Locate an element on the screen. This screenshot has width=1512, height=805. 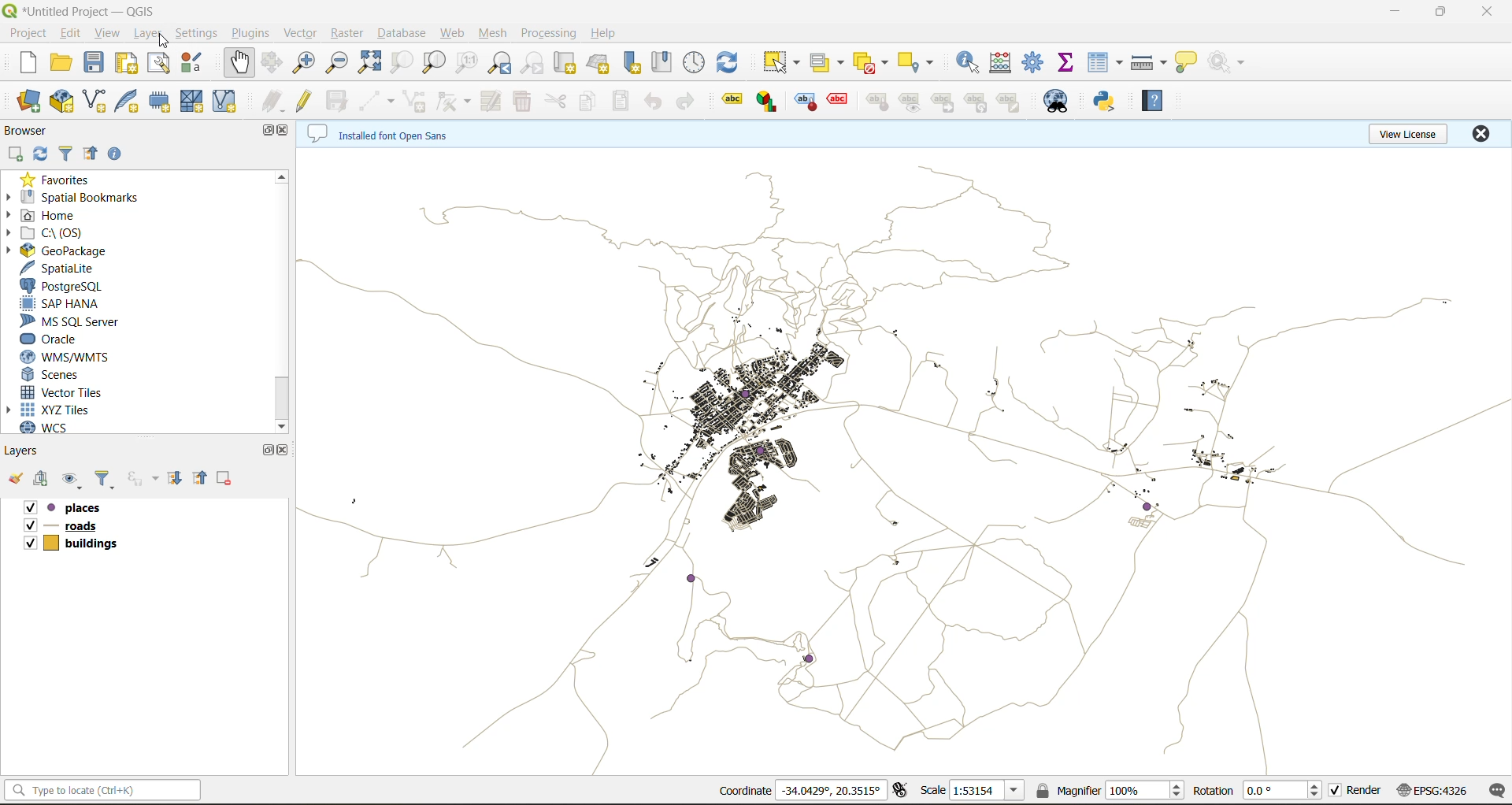
status bar is located at coordinates (104, 789).